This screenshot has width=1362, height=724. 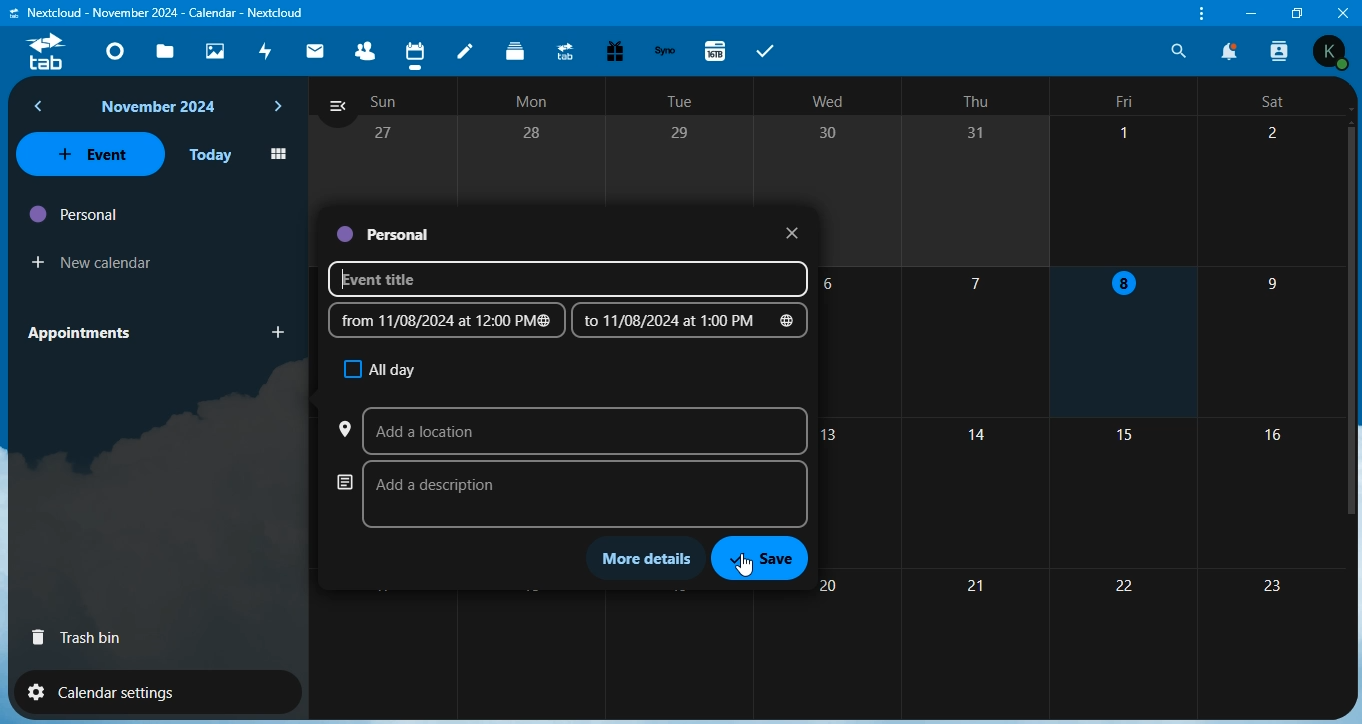 I want to click on customize and control nextcloud, so click(x=1202, y=15).